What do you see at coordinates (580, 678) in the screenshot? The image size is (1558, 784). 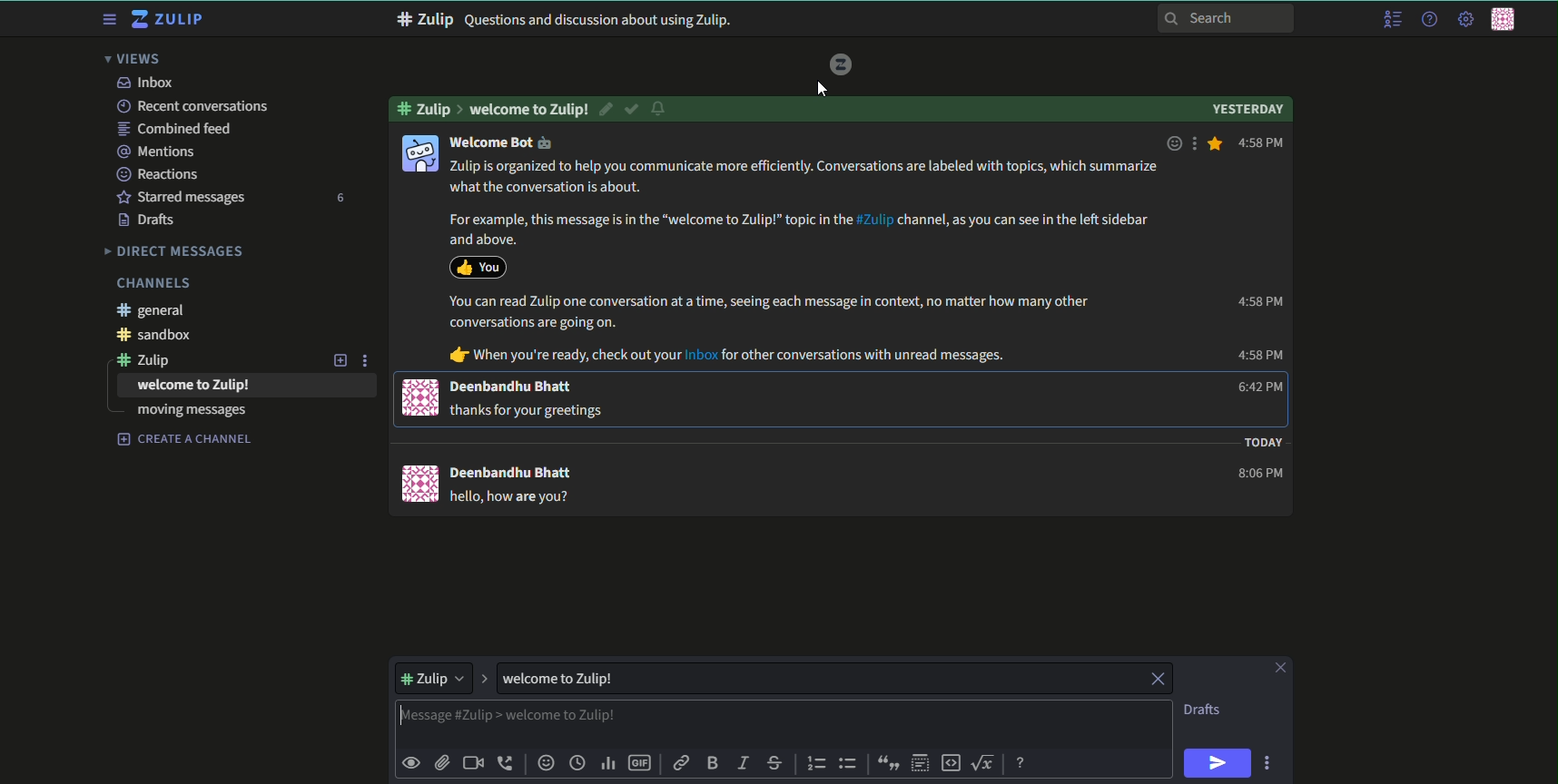 I see `welcome to Zulip!` at bounding box center [580, 678].